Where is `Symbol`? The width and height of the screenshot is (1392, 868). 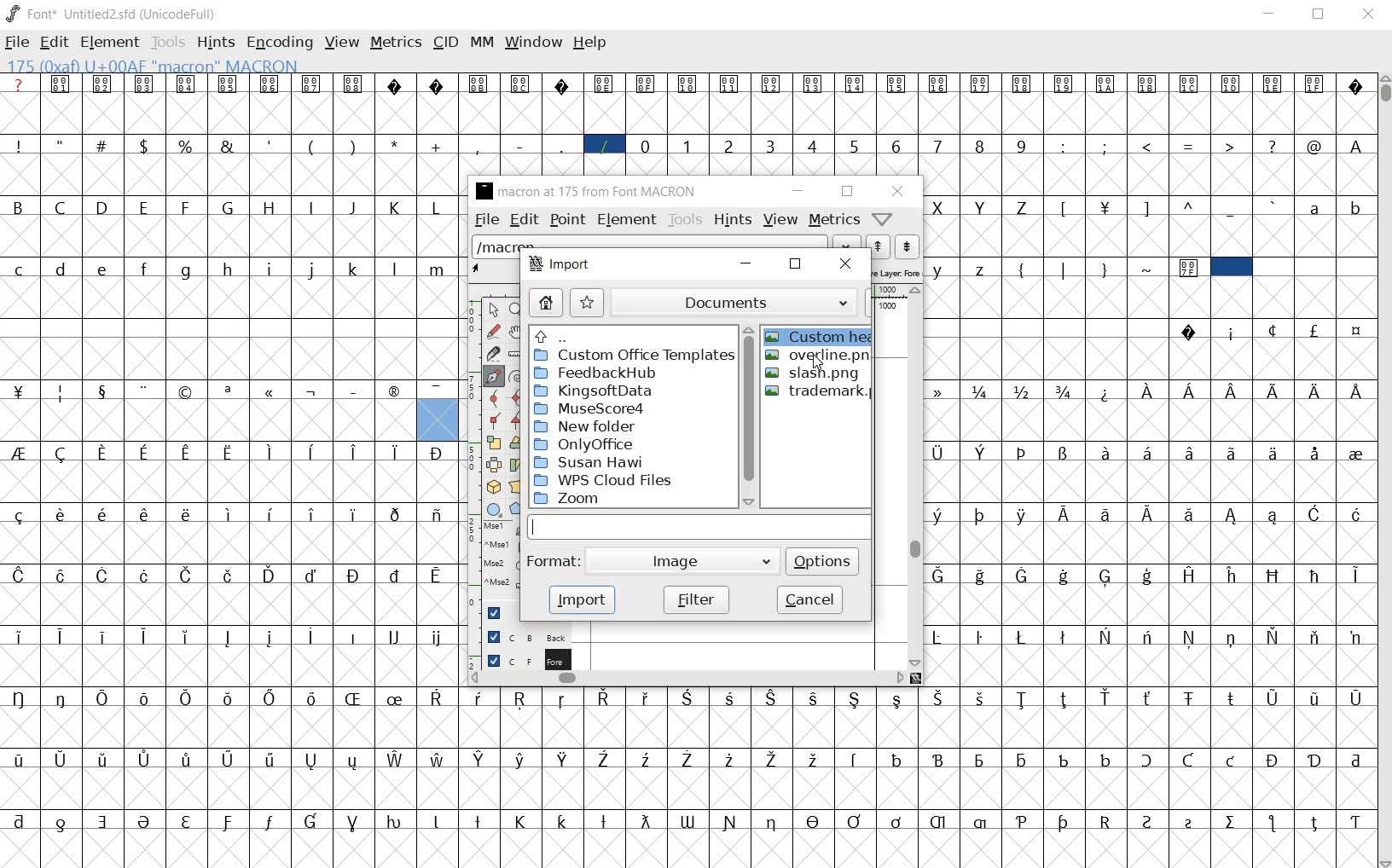
Symbol is located at coordinates (1147, 575).